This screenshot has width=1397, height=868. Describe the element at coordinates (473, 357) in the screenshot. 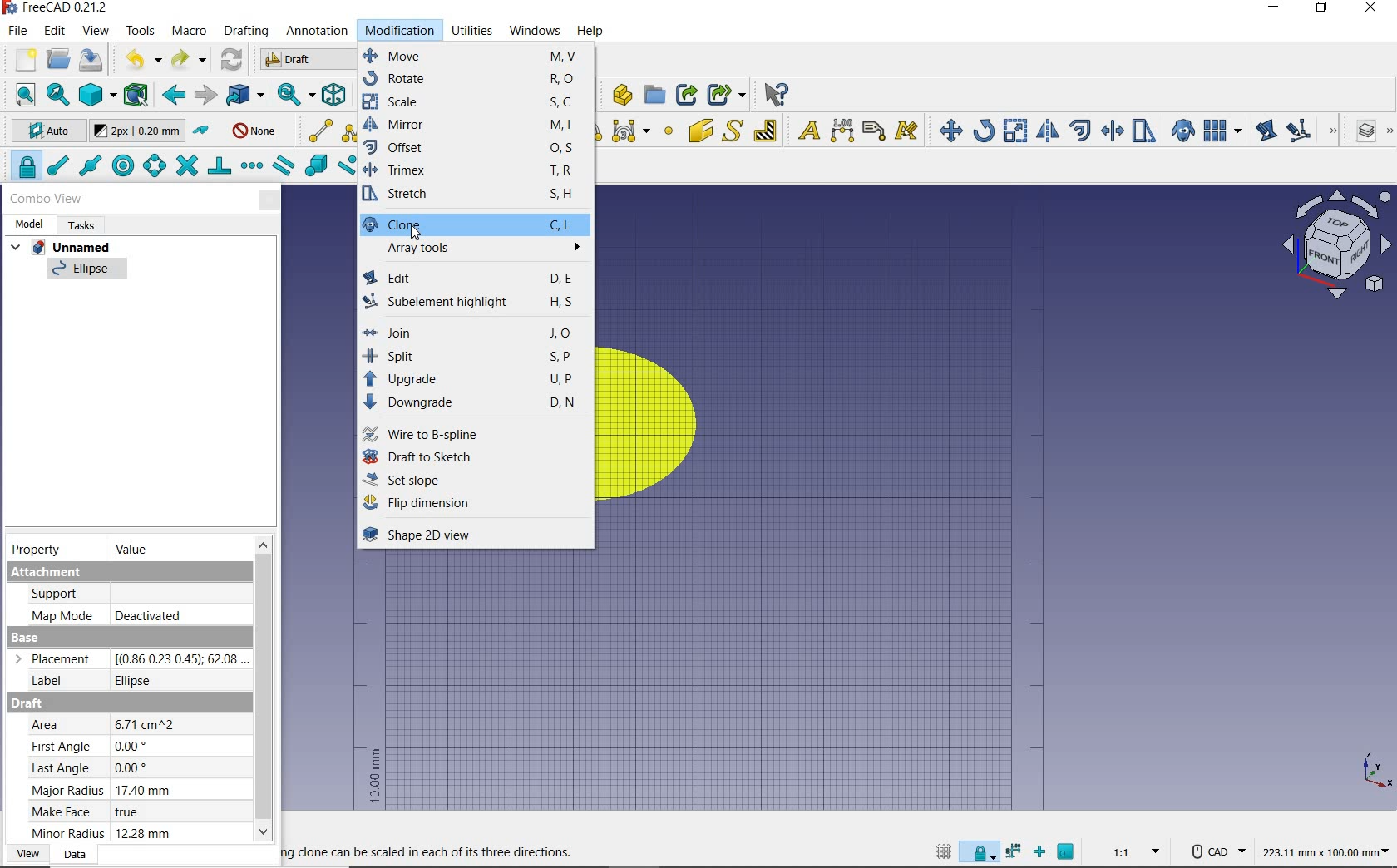

I see `split` at that location.